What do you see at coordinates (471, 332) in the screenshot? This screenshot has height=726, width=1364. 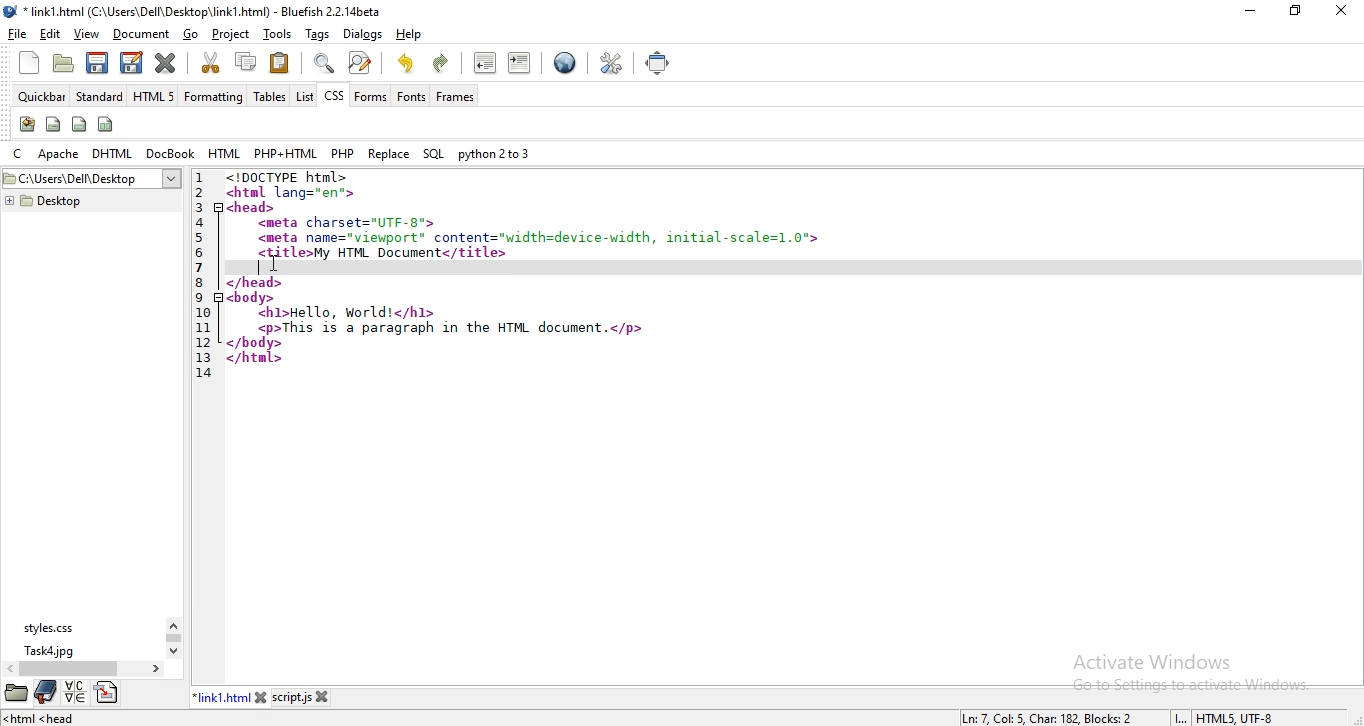 I see `code` at bounding box center [471, 332].